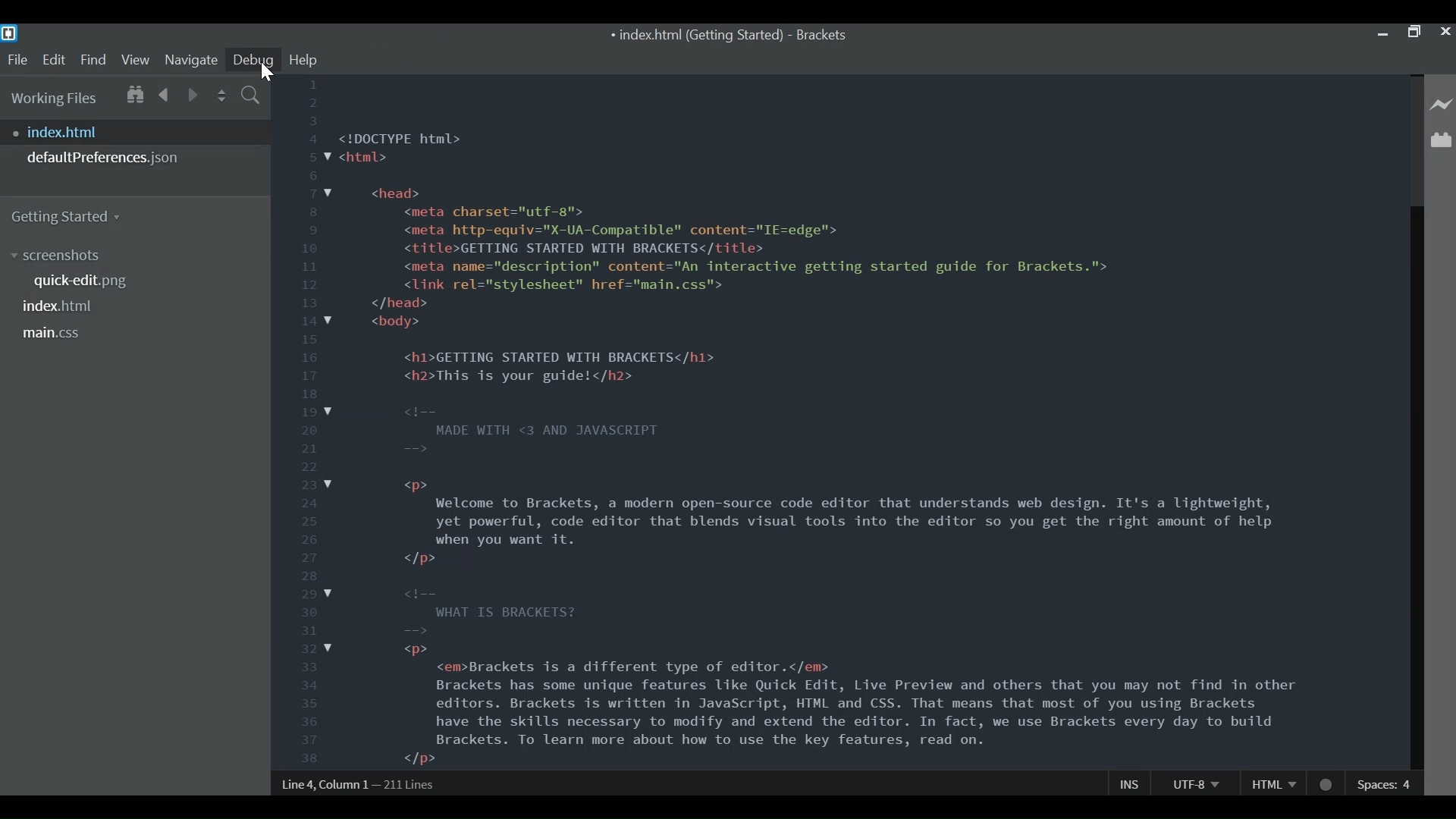 The height and width of the screenshot is (819, 1456). I want to click on Split the File Vertically or Horizontally, so click(222, 96).